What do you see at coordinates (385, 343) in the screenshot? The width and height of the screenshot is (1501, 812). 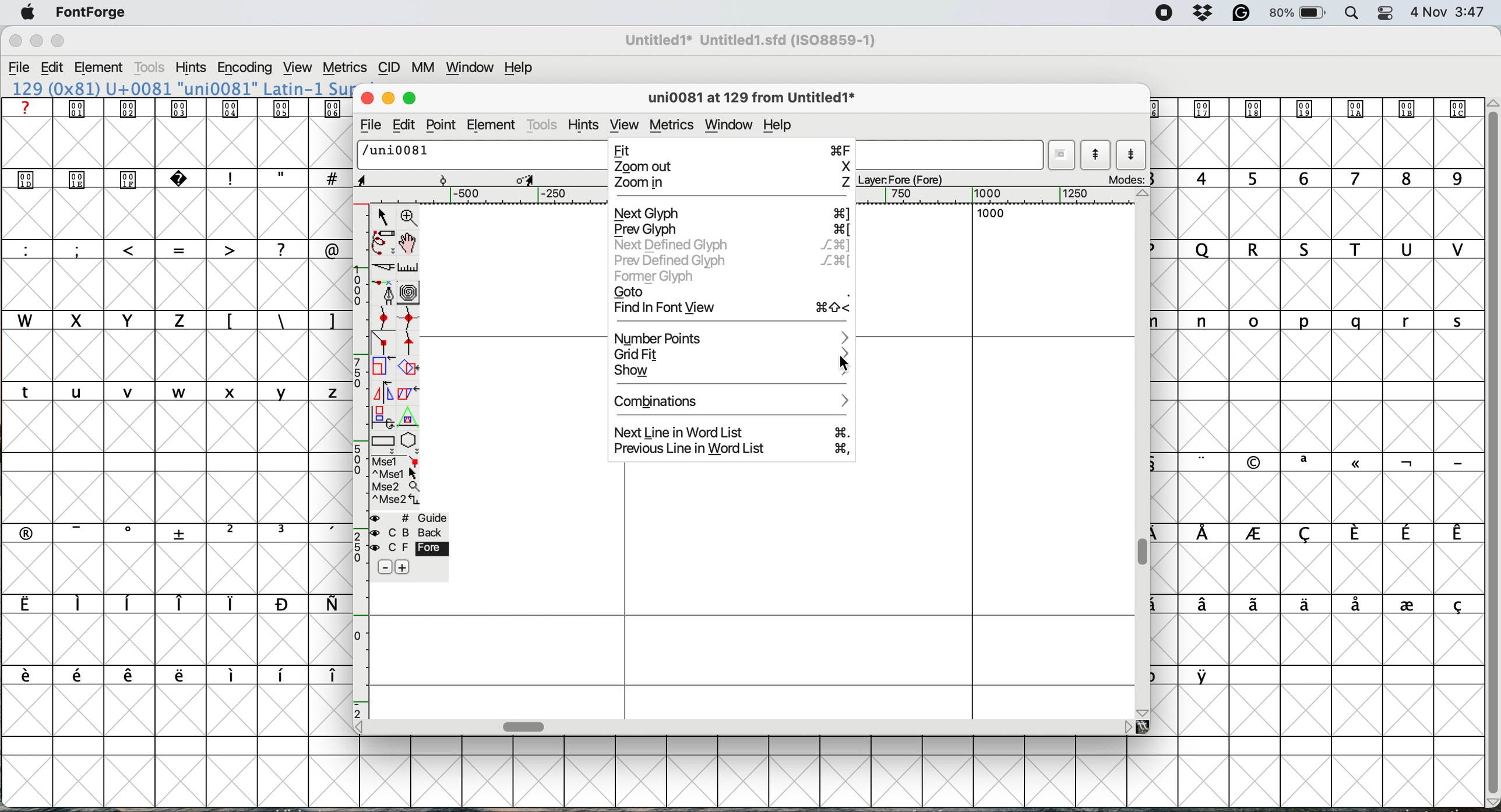 I see `connector point` at bounding box center [385, 343].